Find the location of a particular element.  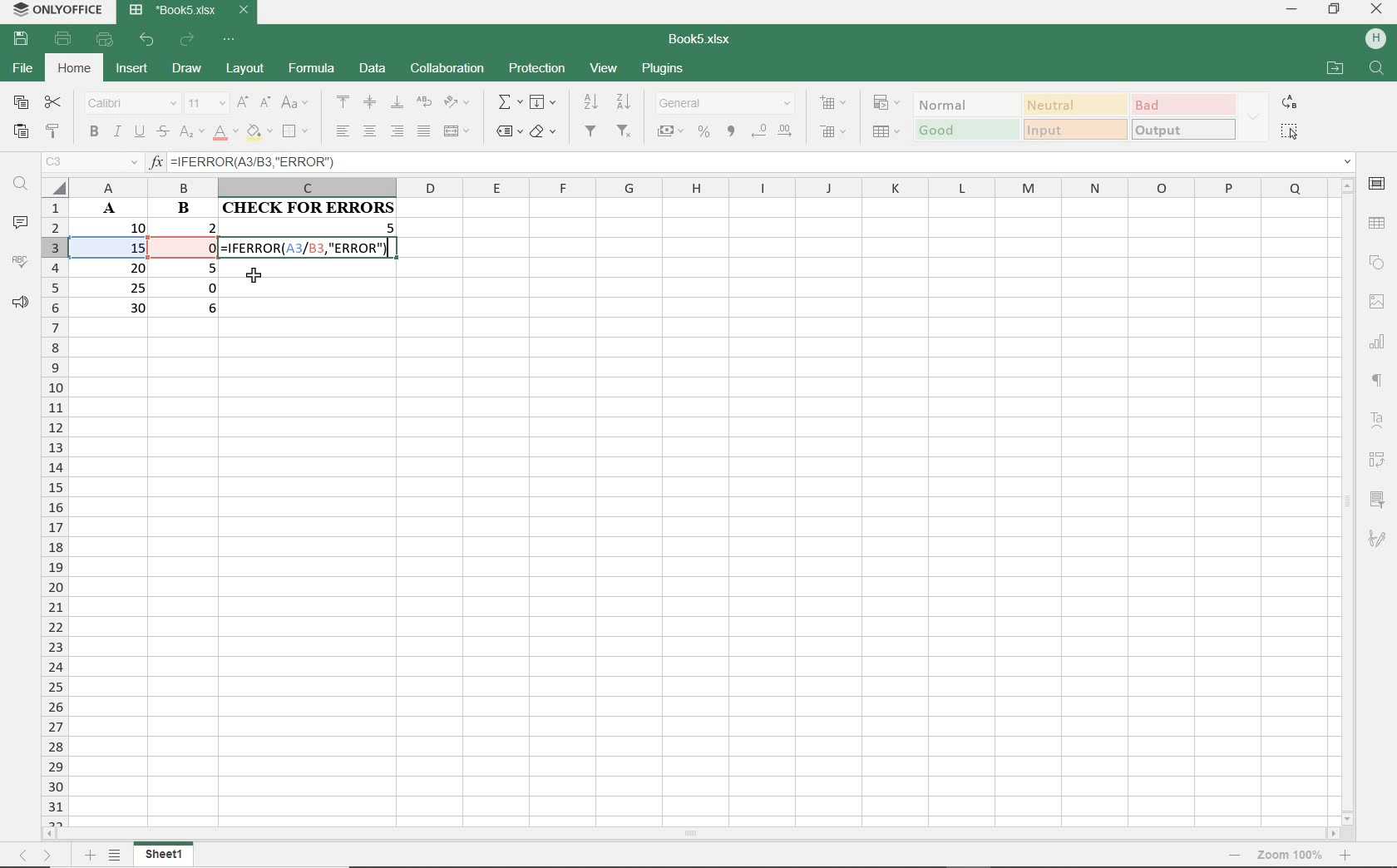

 is located at coordinates (118, 856).